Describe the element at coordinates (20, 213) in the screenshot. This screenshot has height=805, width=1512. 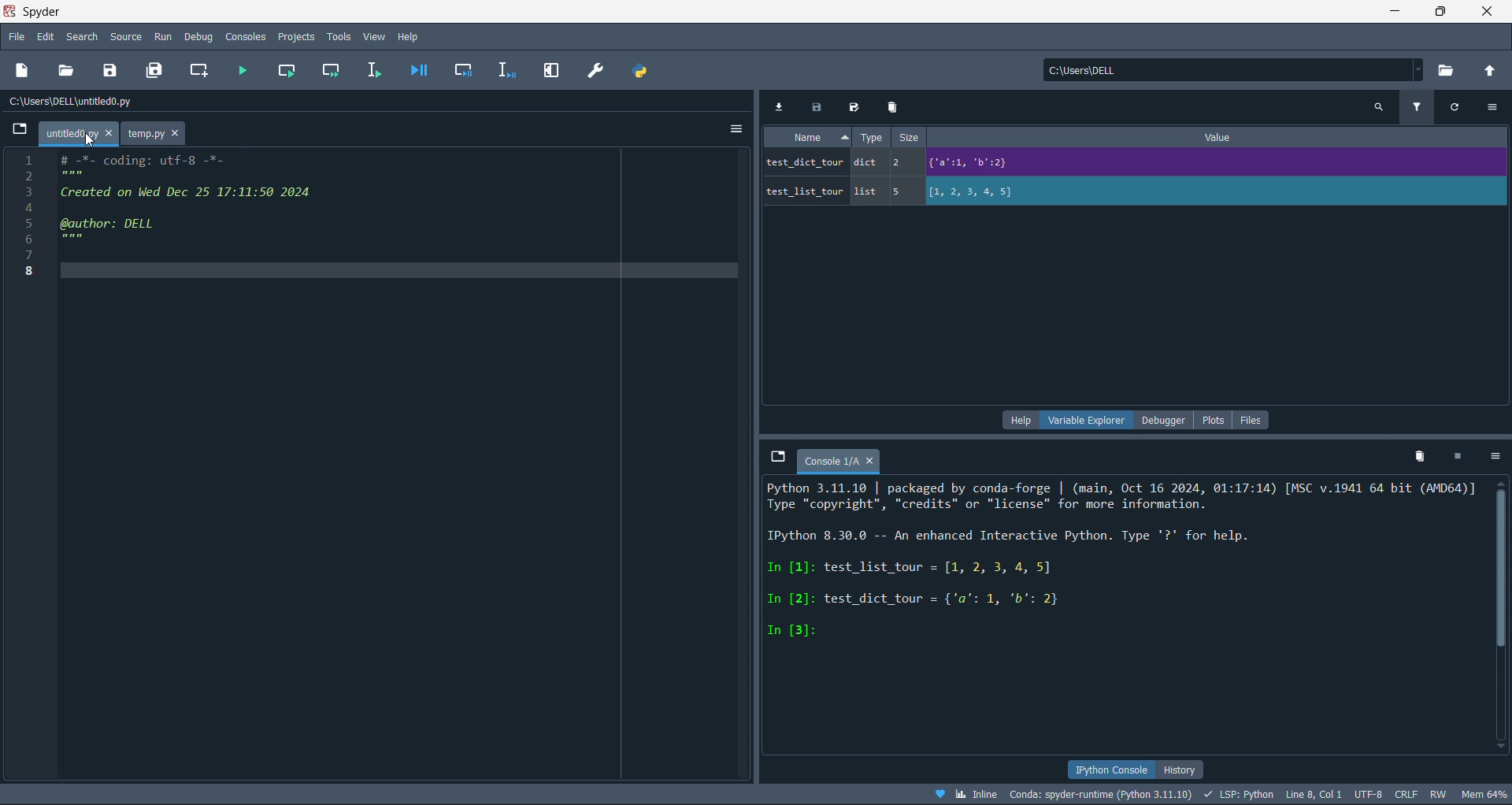
I see `1 2 3 4 5 6 7 8` at that location.